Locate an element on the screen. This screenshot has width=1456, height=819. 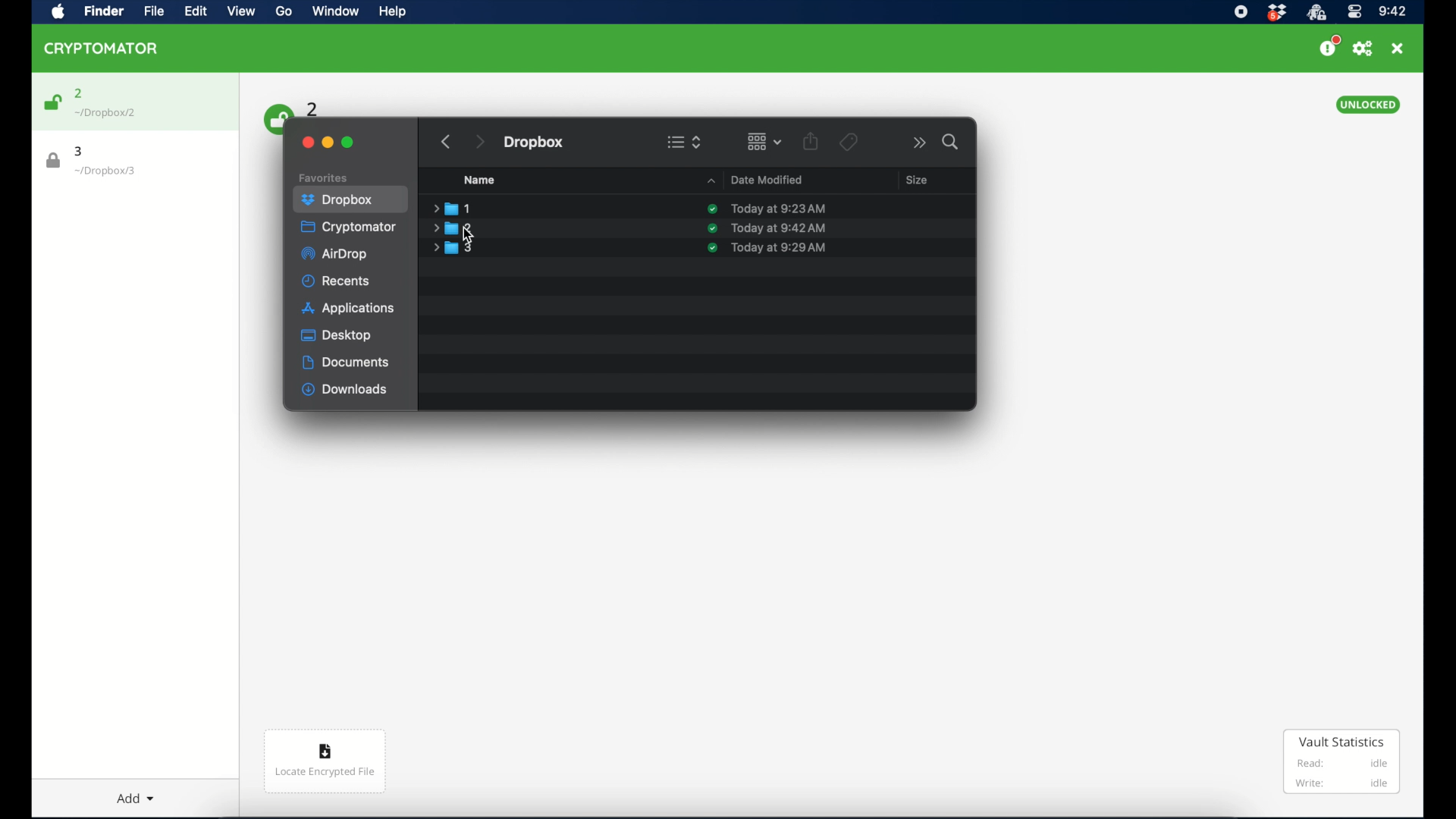
edit is located at coordinates (195, 11).